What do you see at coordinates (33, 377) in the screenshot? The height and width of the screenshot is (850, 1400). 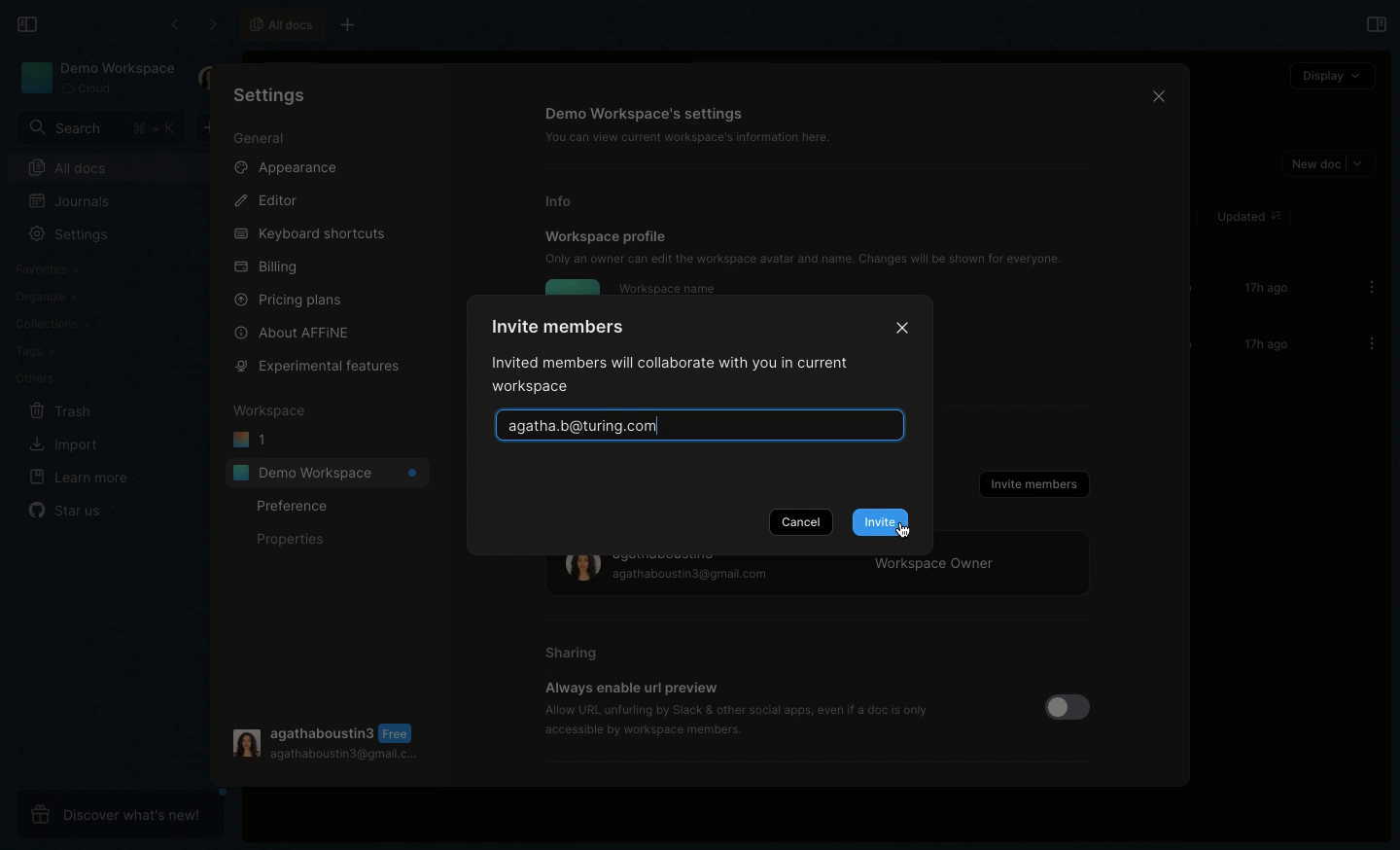 I see `Others` at bounding box center [33, 377].